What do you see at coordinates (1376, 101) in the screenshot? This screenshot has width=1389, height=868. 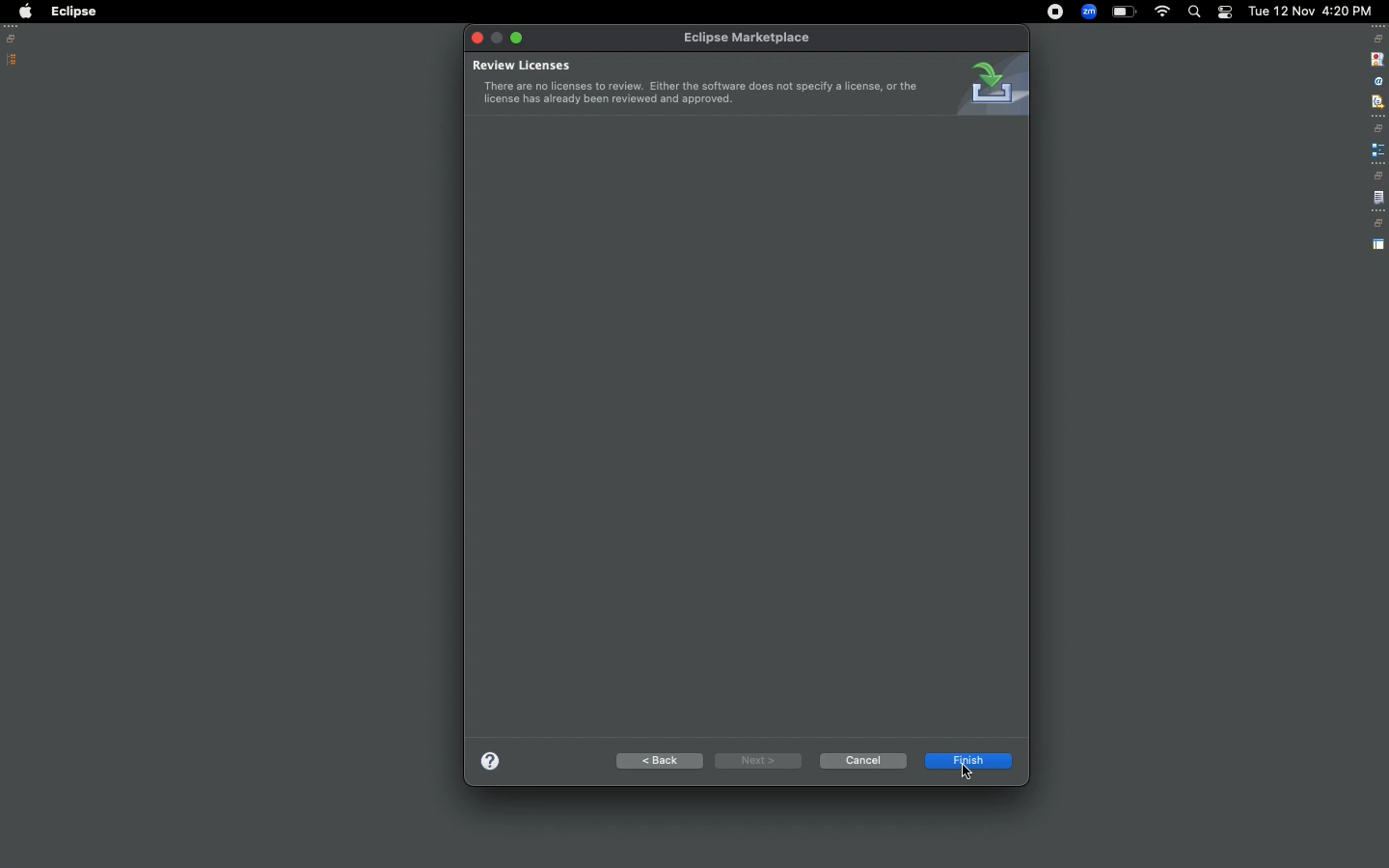 I see `filter` at bounding box center [1376, 101].